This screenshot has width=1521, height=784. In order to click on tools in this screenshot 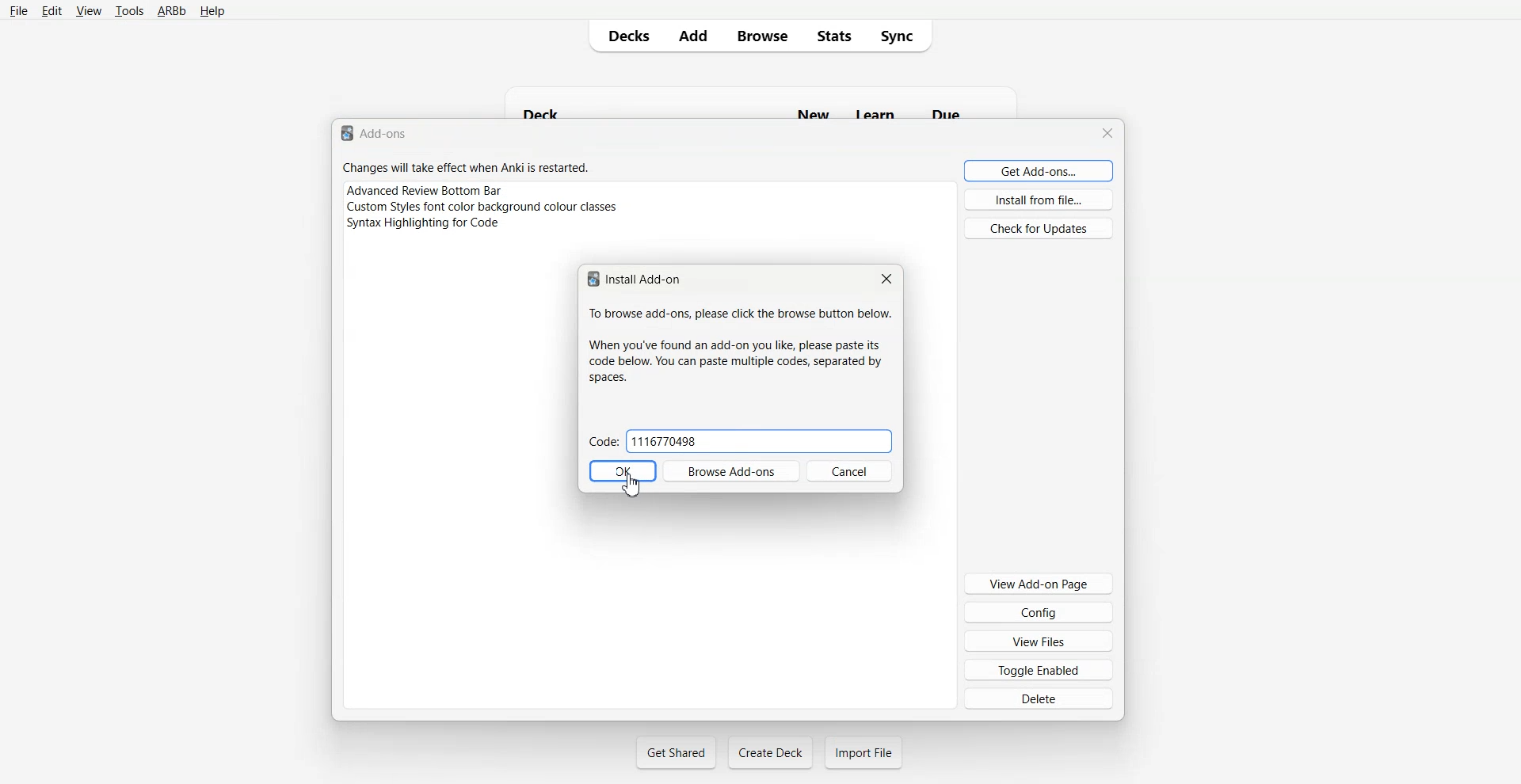, I will do `click(128, 10)`.